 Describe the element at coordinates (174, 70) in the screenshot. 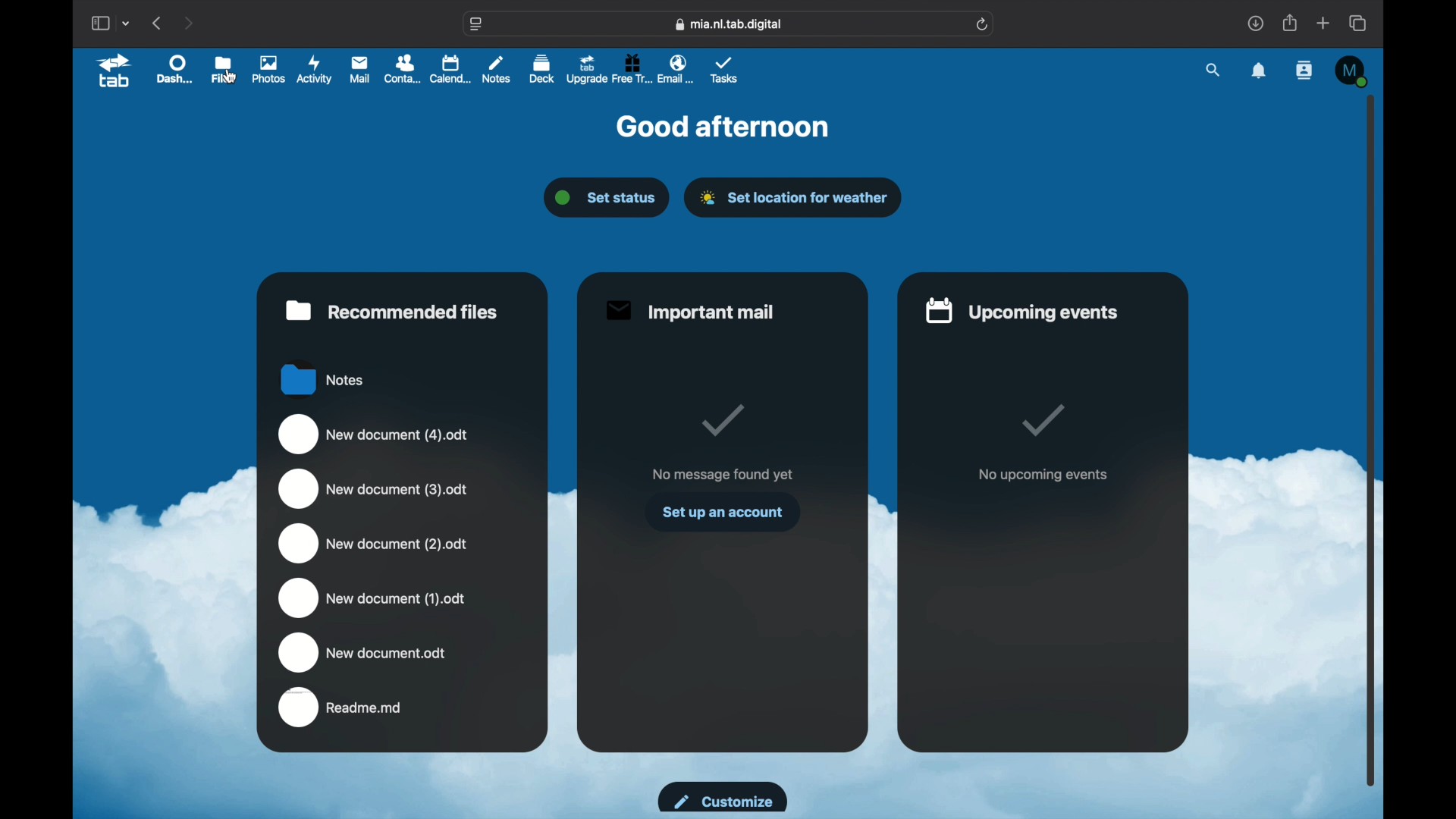

I see `dashboard` at that location.